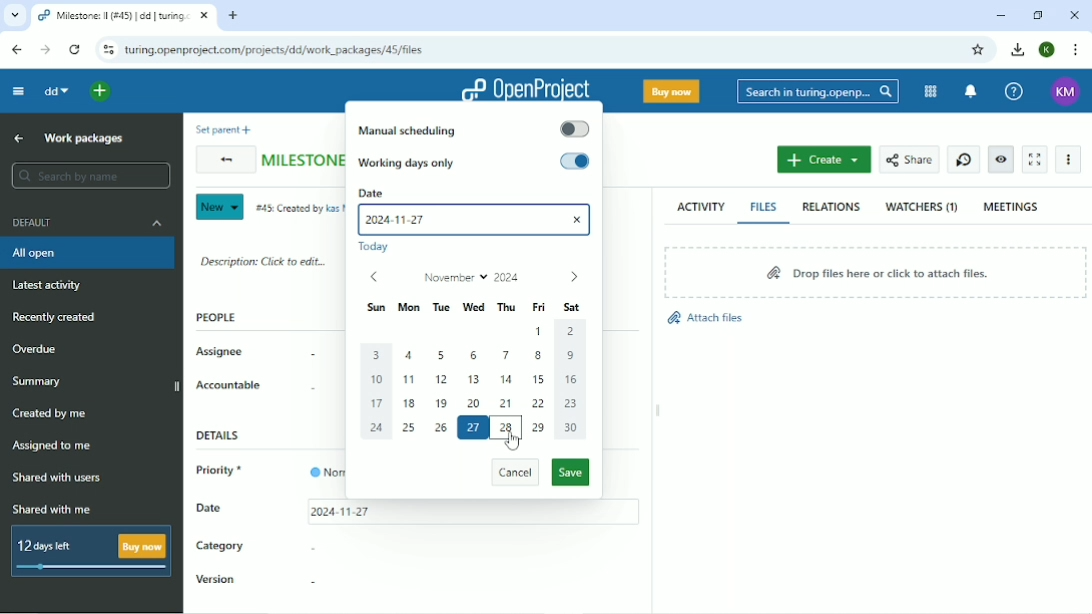 Image resolution: width=1092 pixels, height=614 pixels. Describe the element at coordinates (217, 317) in the screenshot. I see `People` at that location.